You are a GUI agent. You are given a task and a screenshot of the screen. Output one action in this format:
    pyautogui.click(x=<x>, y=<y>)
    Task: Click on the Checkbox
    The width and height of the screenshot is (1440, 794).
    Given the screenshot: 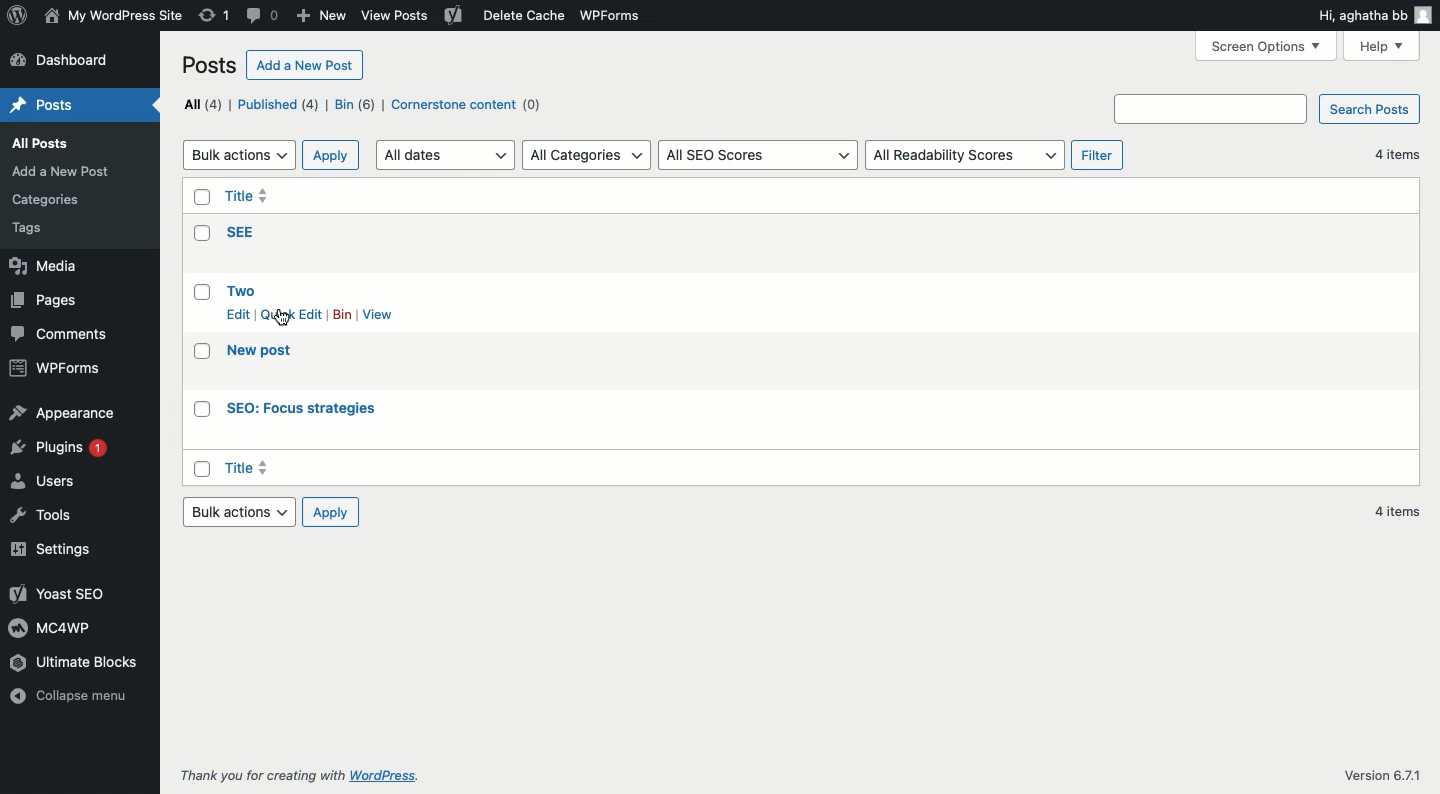 What is the action you would take?
    pyautogui.click(x=202, y=469)
    